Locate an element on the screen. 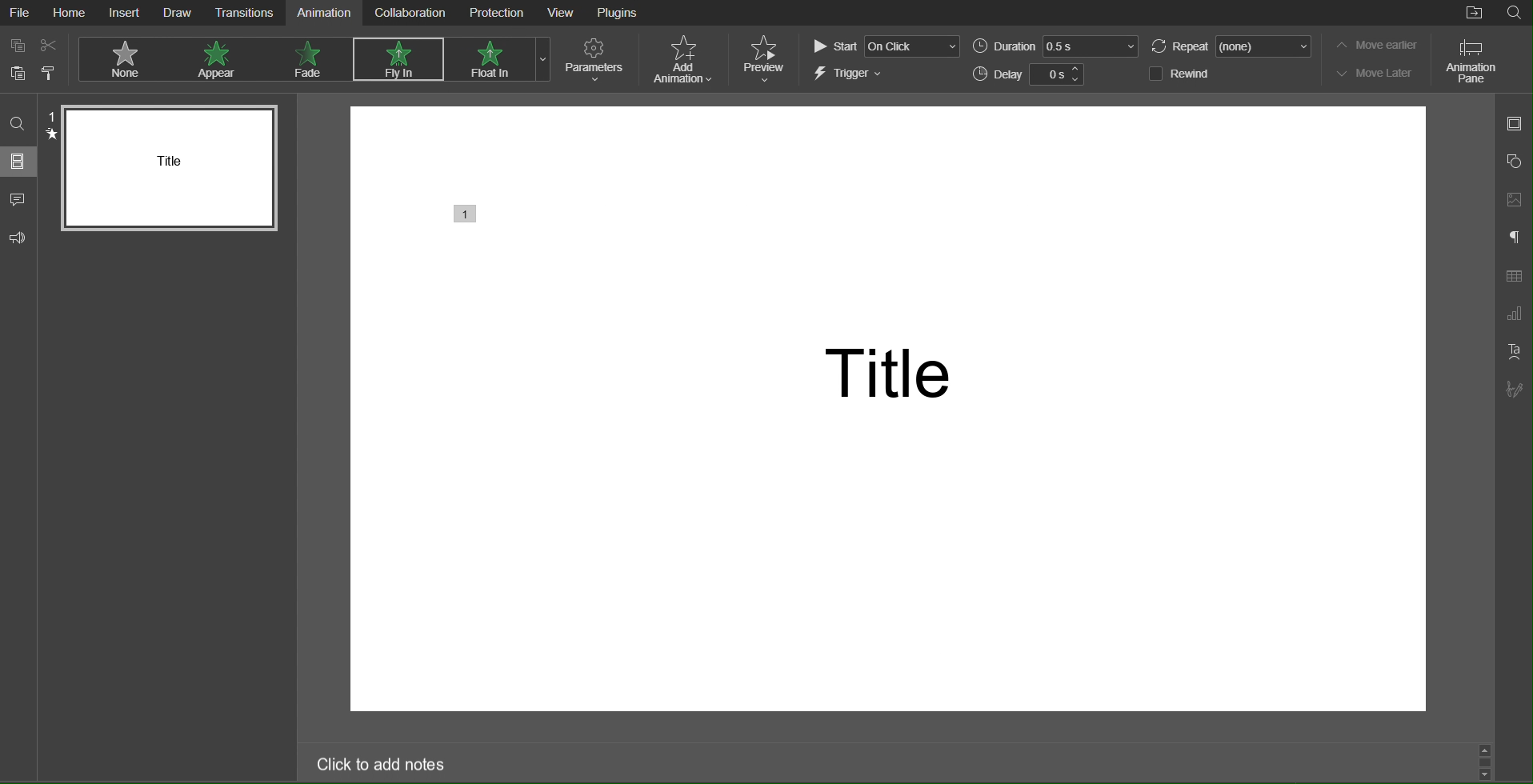 This screenshot has height=784, width=1533. Fade is located at coordinates (309, 58).